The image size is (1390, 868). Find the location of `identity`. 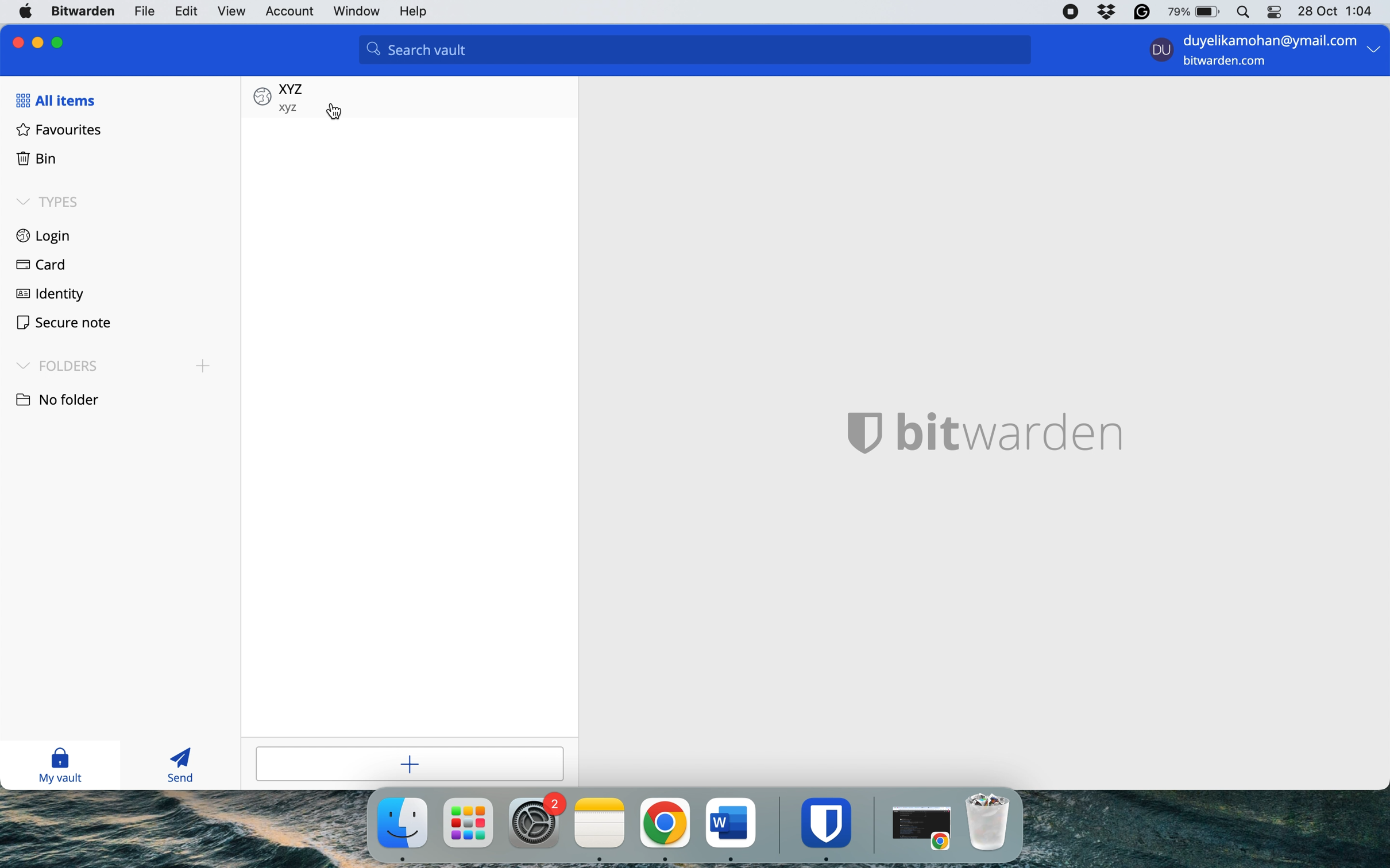

identity is located at coordinates (50, 296).